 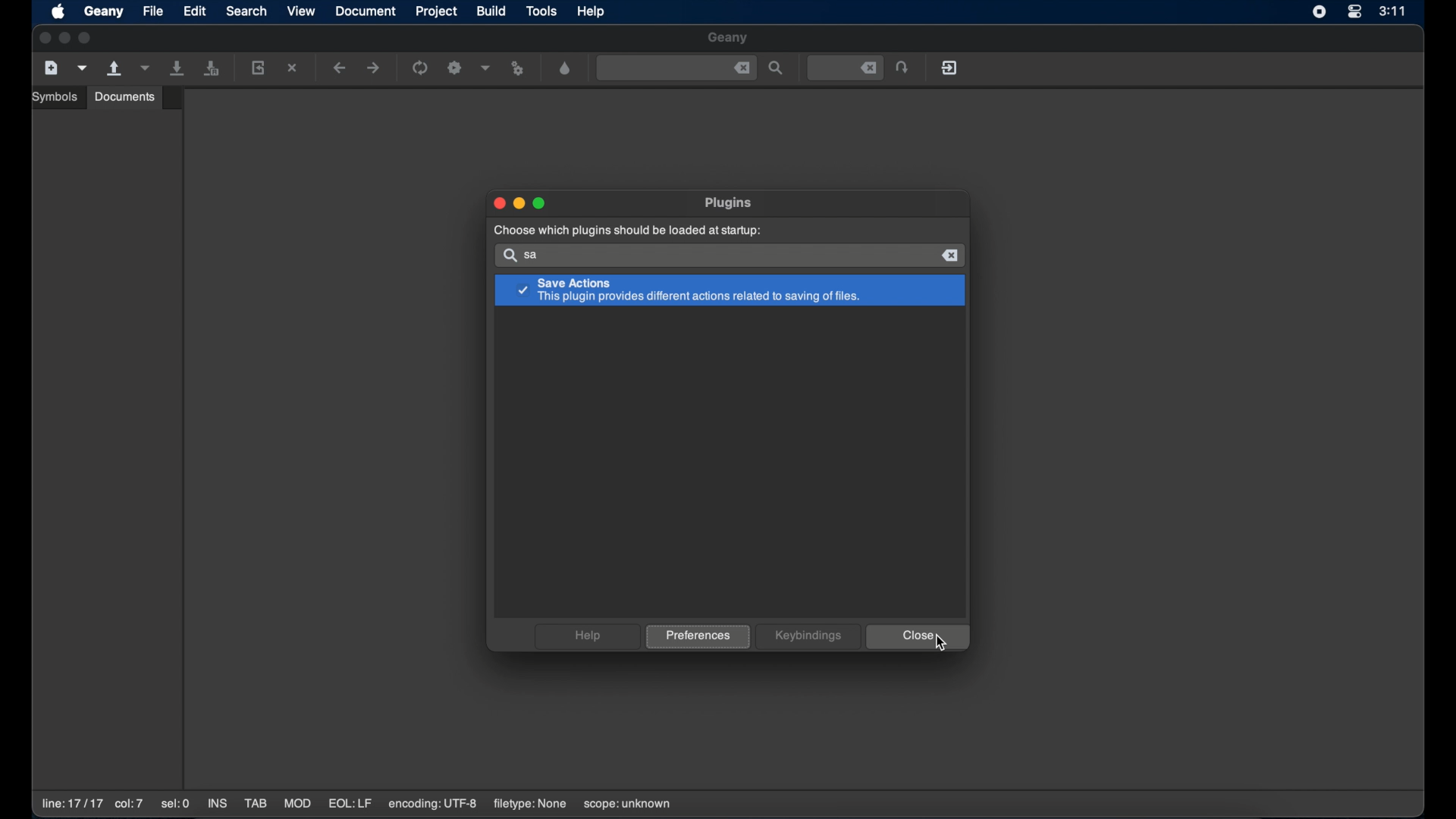 I want to click on choose which plugins should be loaded at startup, so click(x=626, y=231).